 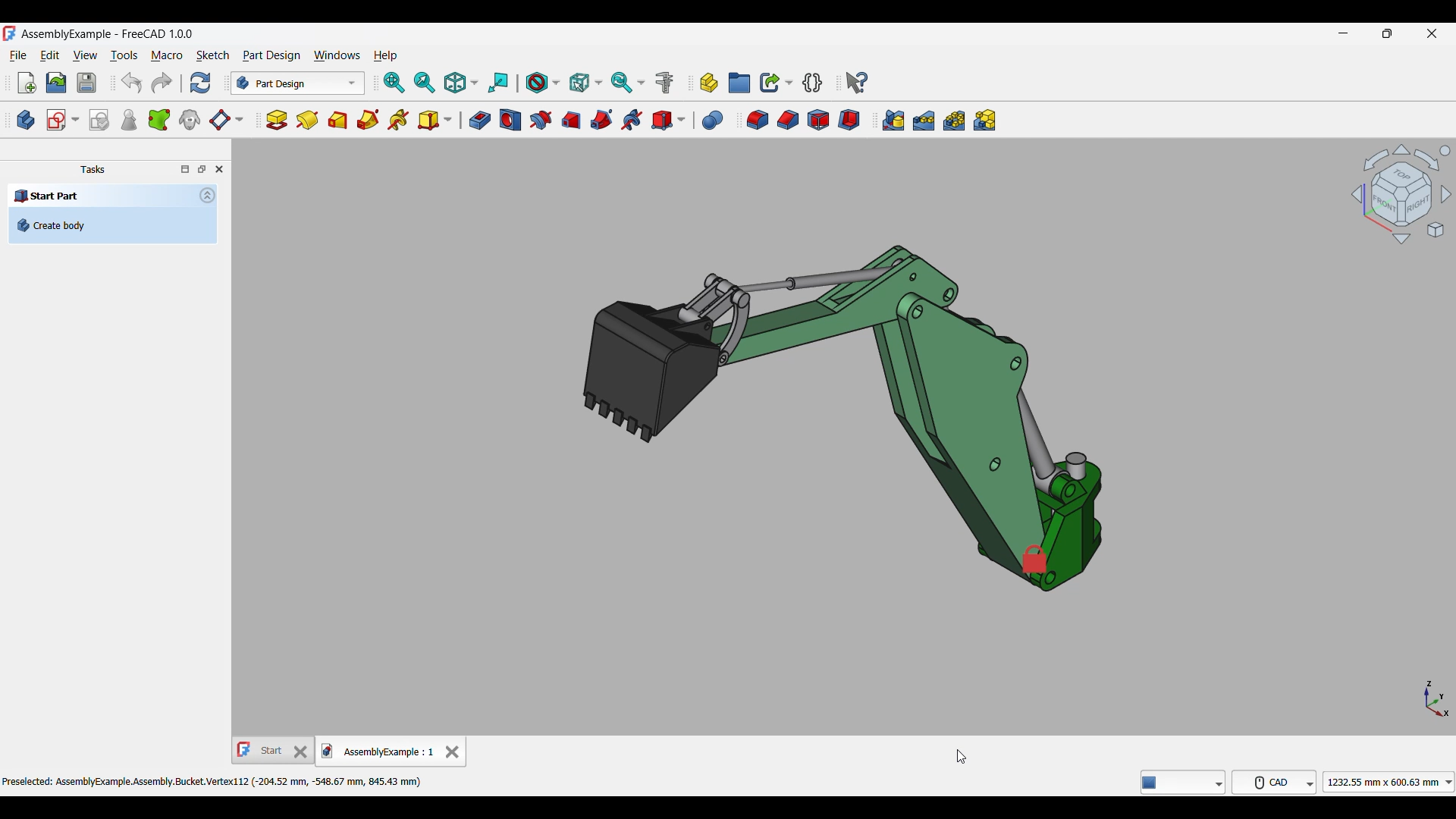 What do you see at coordinates (85, 55) in the screenshot?
I see `View menu` at bounding box center [85, 55].